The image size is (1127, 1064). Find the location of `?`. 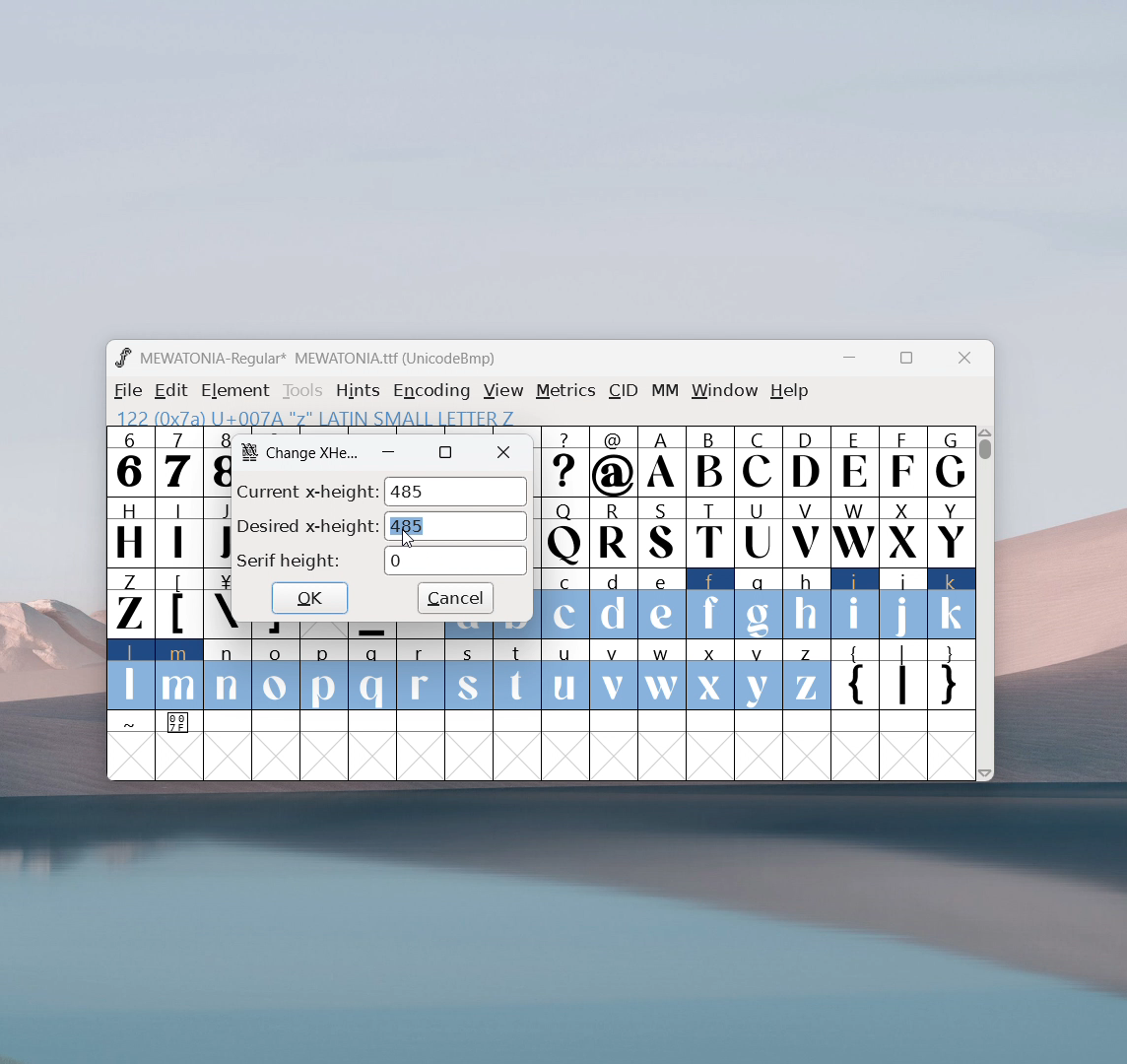

? is located at coordinates (565, 463).